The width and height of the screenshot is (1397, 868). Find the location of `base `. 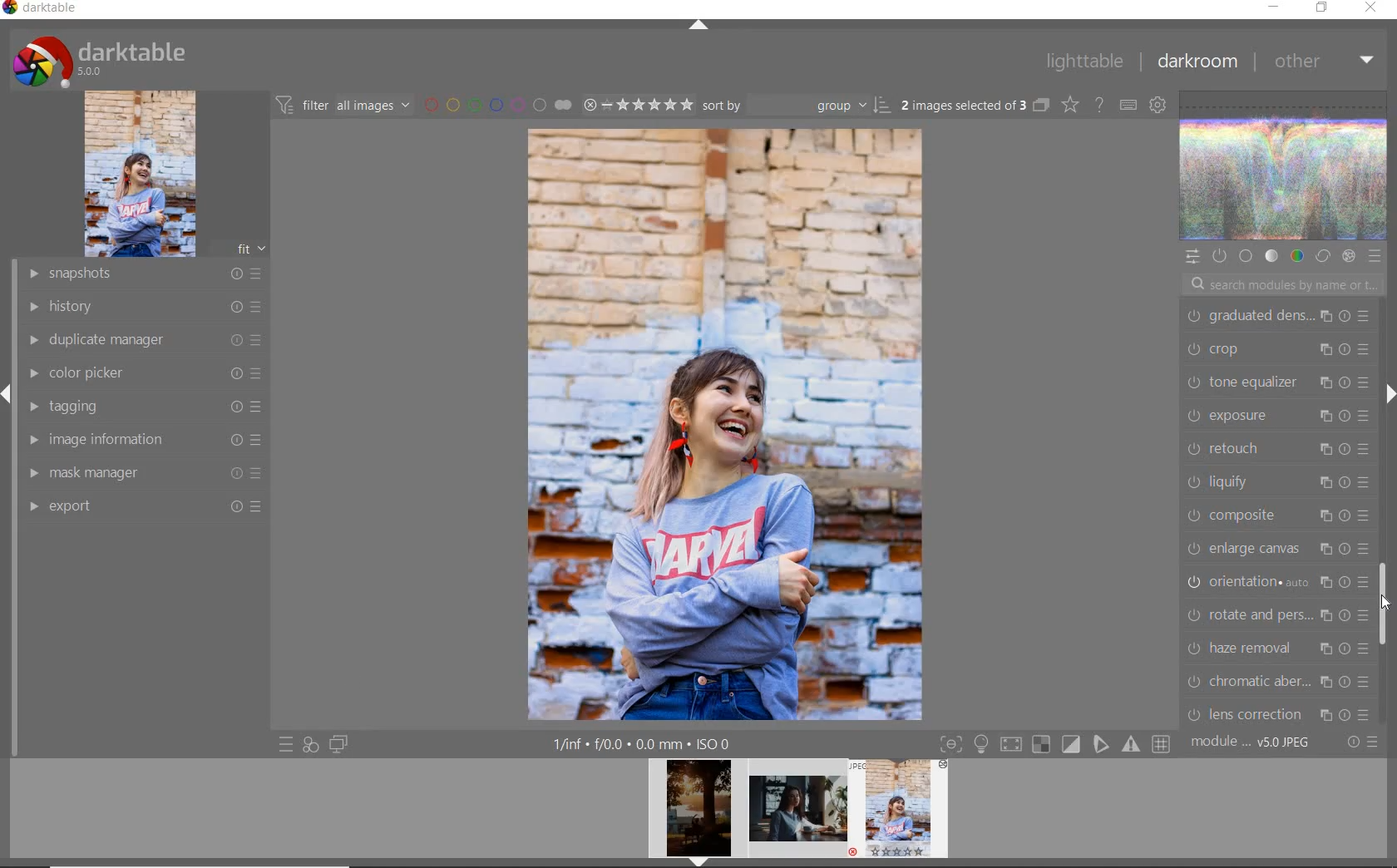

base  is located at coordinates (1247, 257).